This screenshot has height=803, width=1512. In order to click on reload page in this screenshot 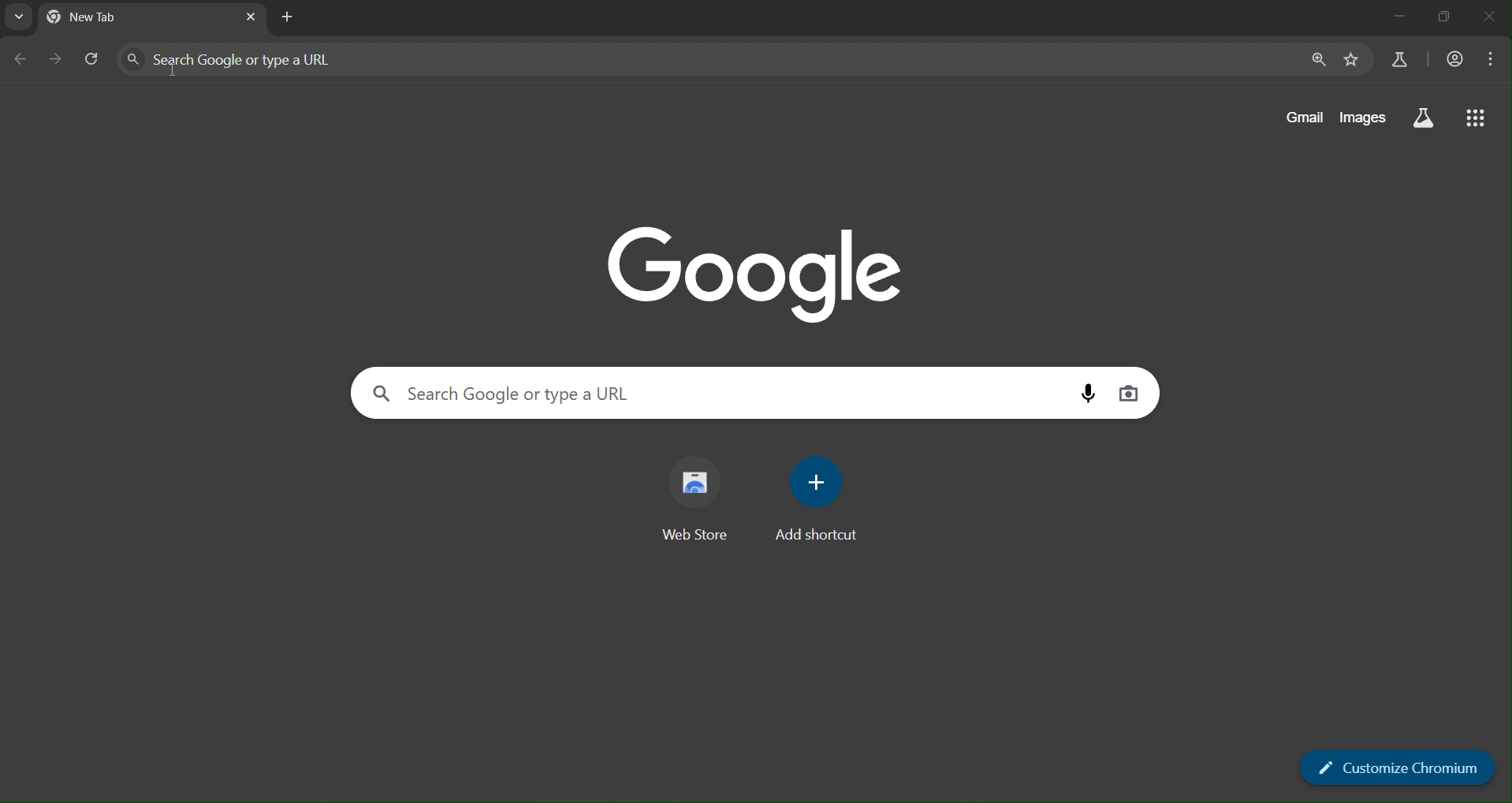, I will do `click(94, 60)`.